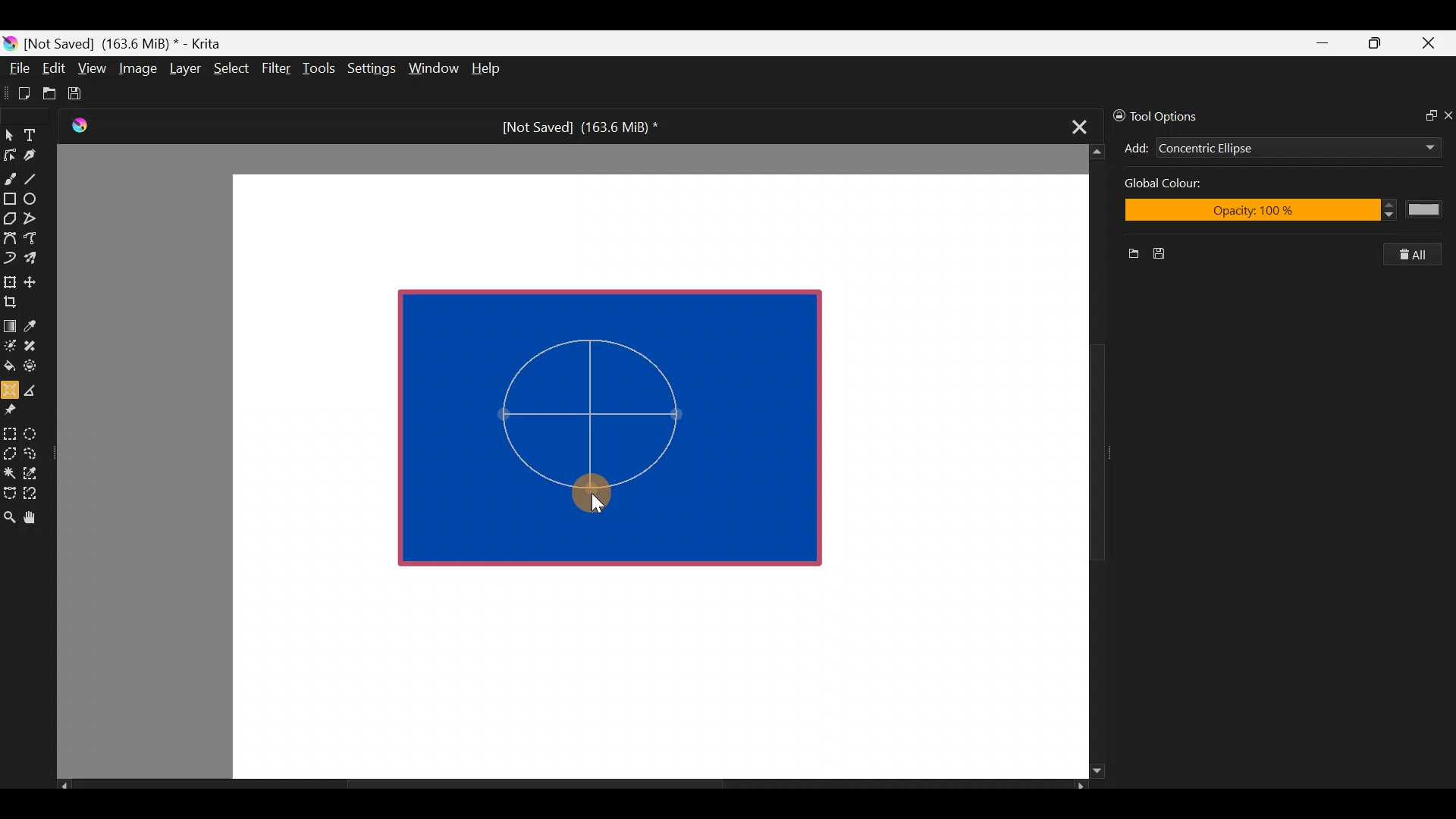  Describe the element at coordinates (9, 362) in the screenshot. I see `Fill a contiguous area of colour with colour/fill a selection` at that location.